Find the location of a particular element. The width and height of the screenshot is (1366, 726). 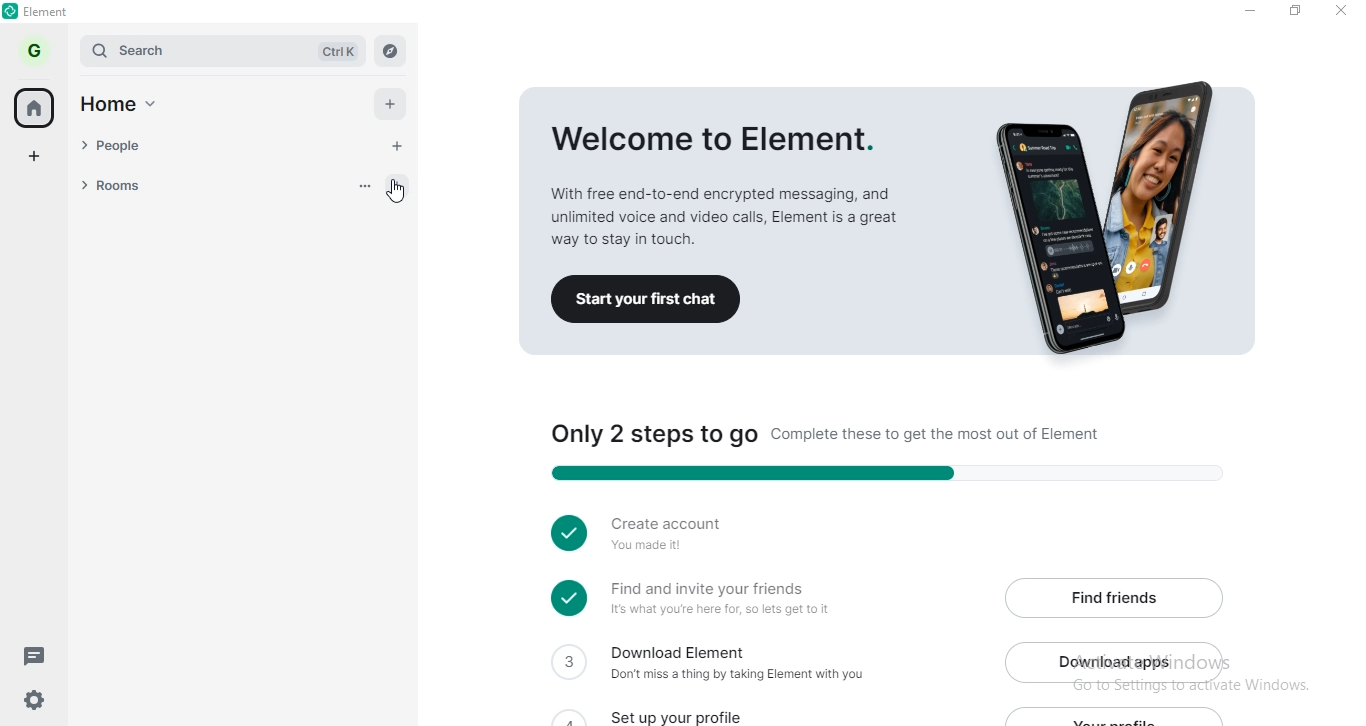

find and invite your friends is located at coordinates (715, 600).